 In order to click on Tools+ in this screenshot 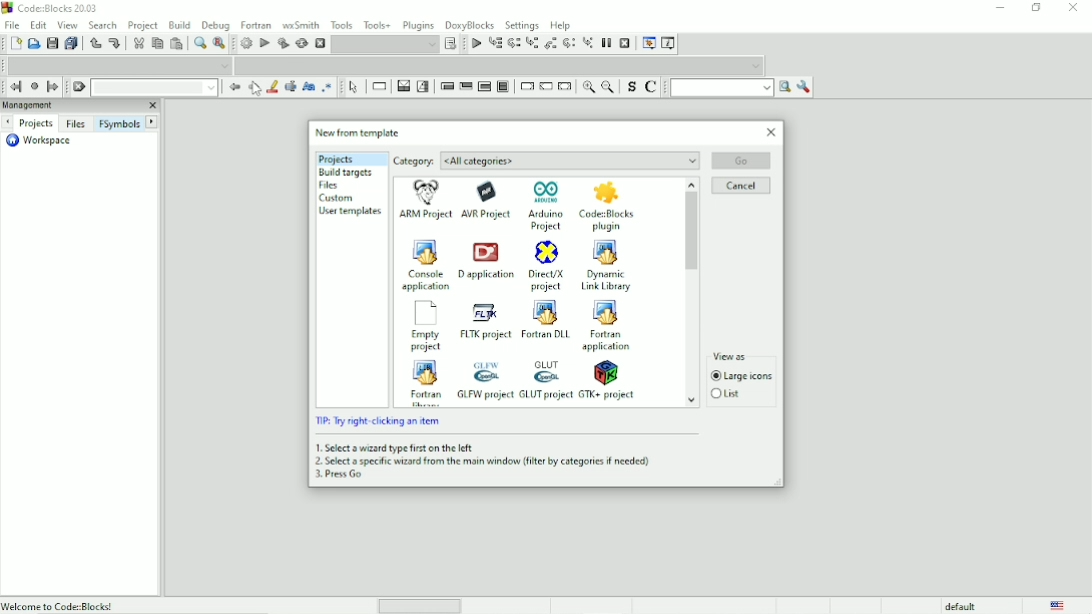, I will do `click(377, 24)`.